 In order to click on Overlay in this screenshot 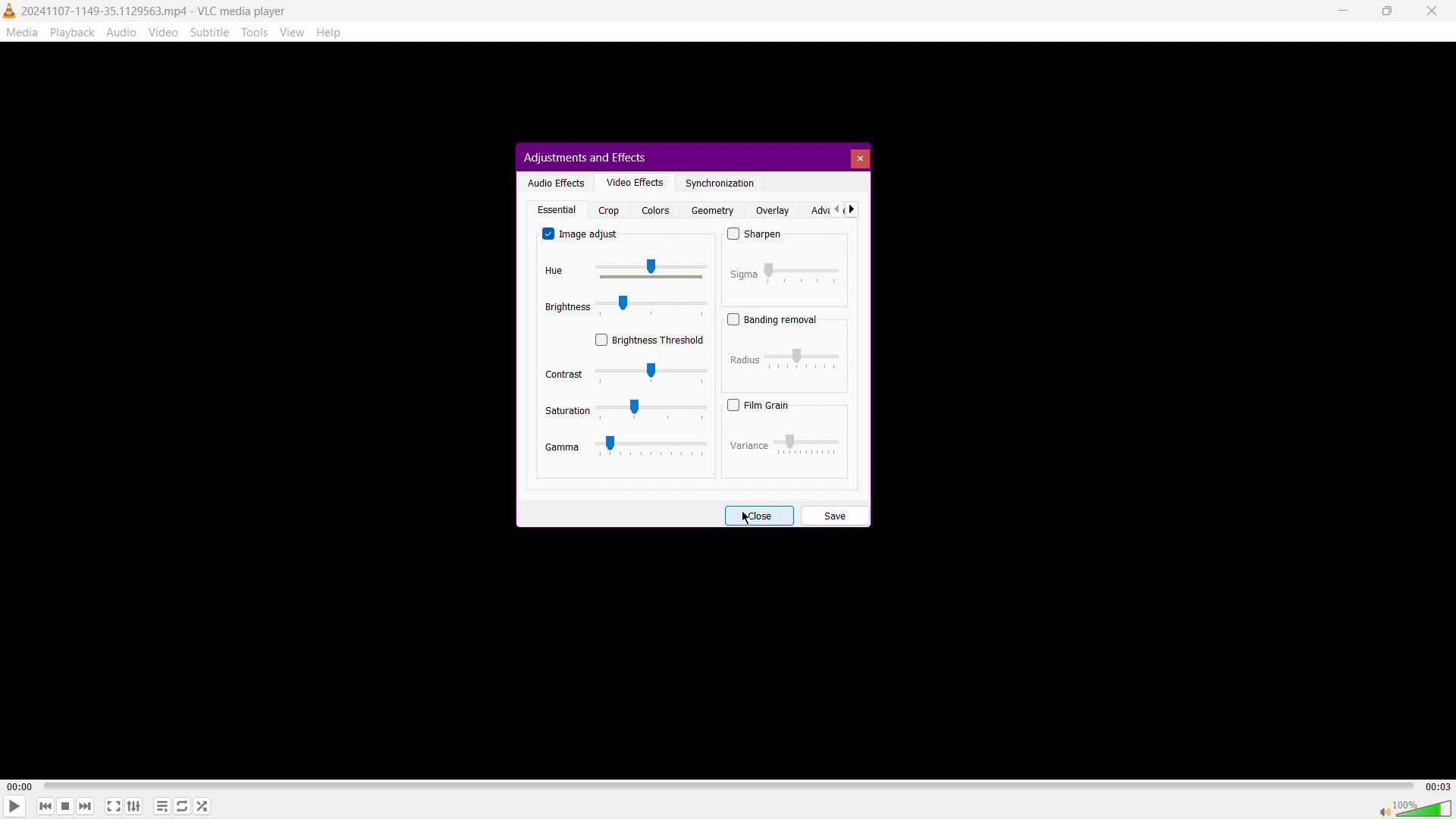, I will do `click(772, 210)`.